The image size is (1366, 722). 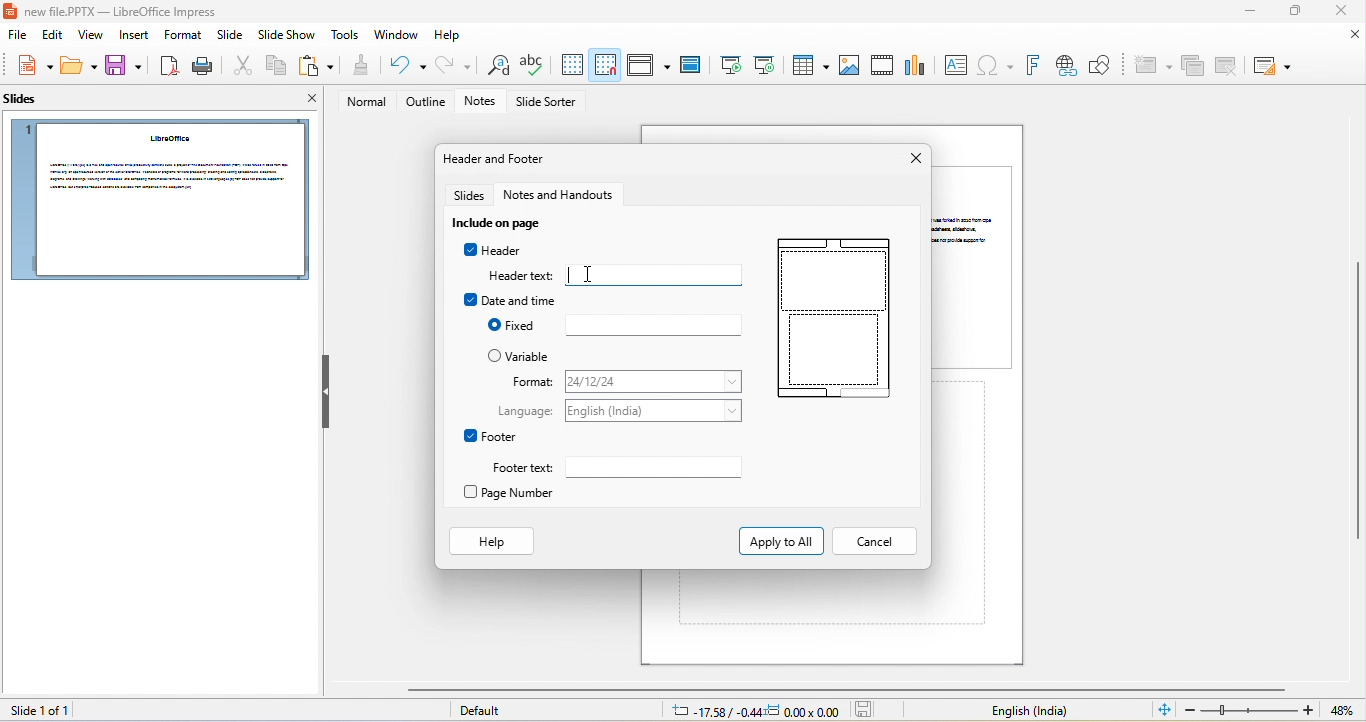 I want to click on slide 1, so click(x=158, y=200).